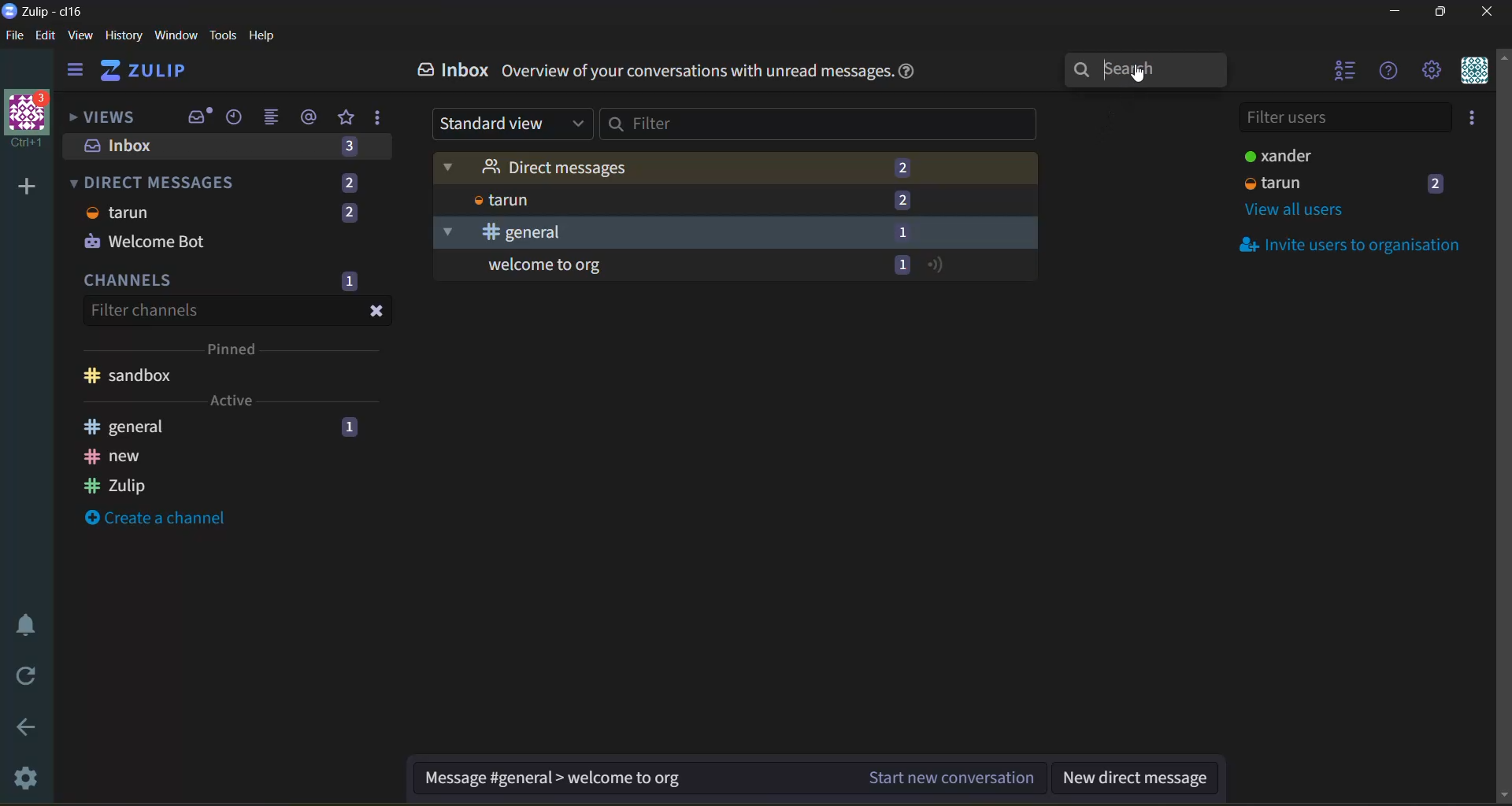  I want to click on tarun, so click(120, 213).